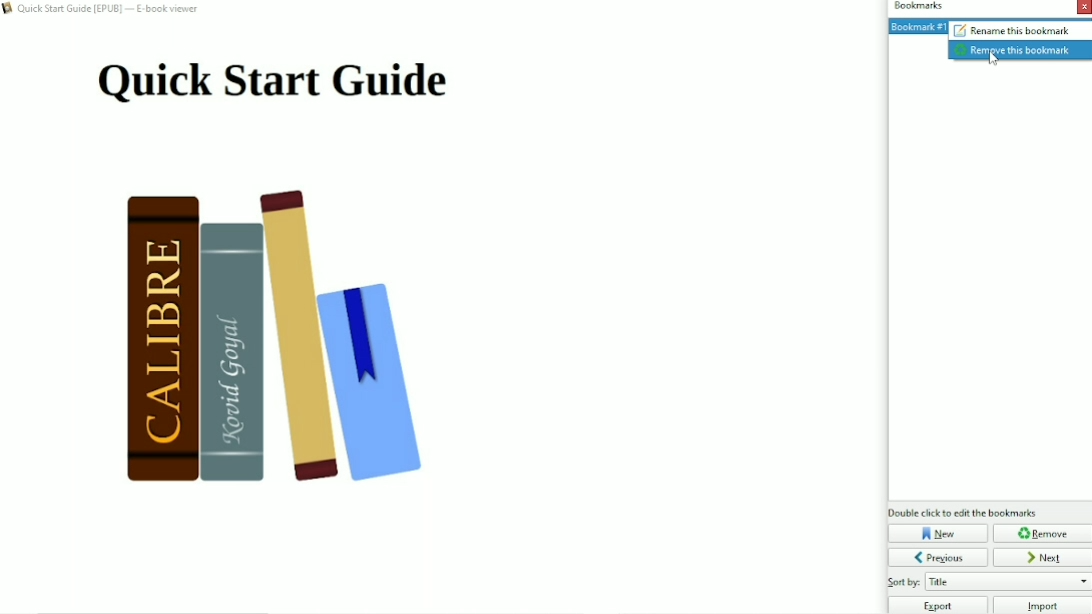  I want to click on Previous, so click(938, 557).